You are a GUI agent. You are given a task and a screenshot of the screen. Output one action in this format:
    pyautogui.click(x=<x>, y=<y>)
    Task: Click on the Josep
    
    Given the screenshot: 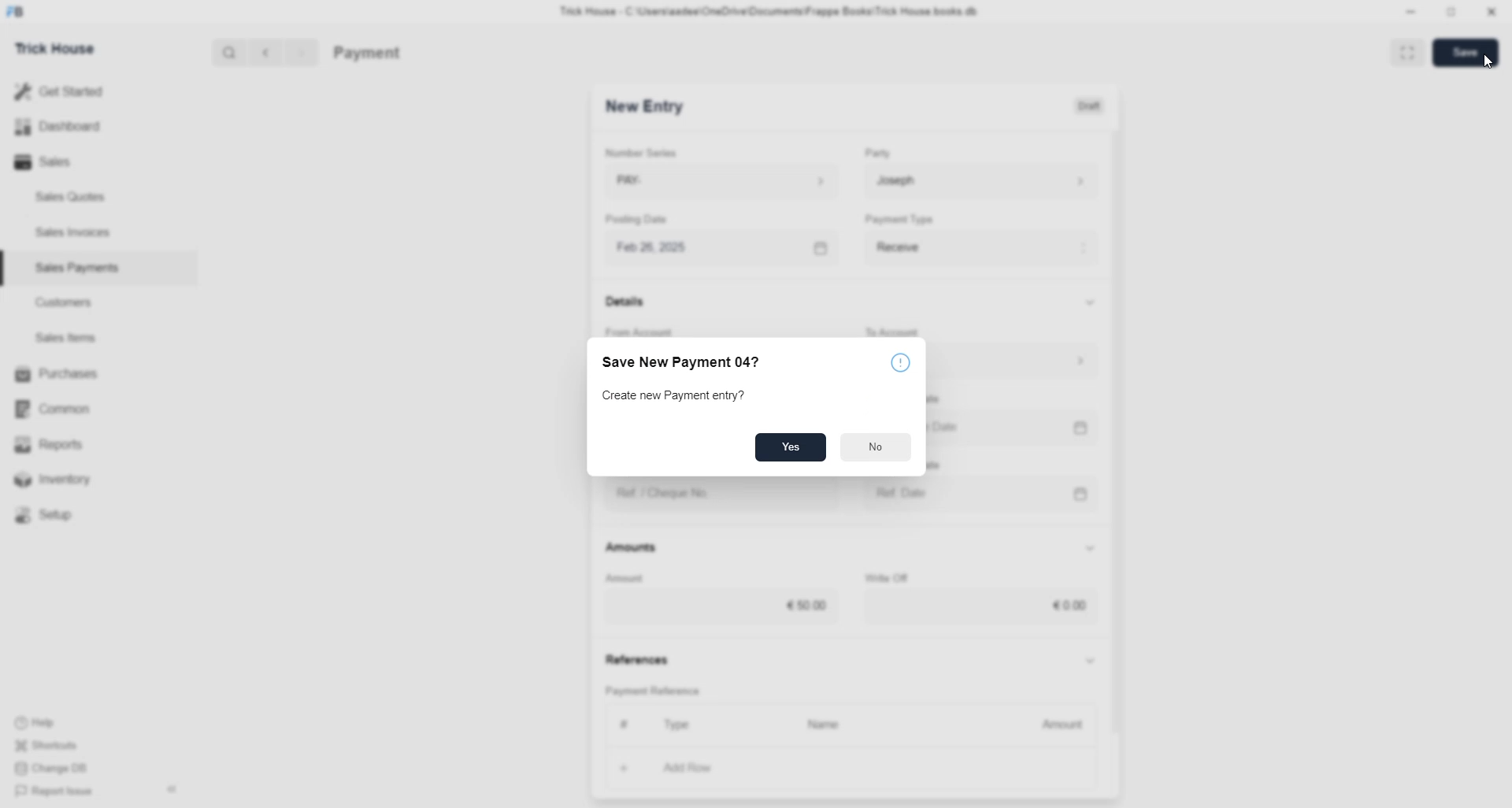 What is the action you would take?
    pyautogui.click(x=980, y=180)
    